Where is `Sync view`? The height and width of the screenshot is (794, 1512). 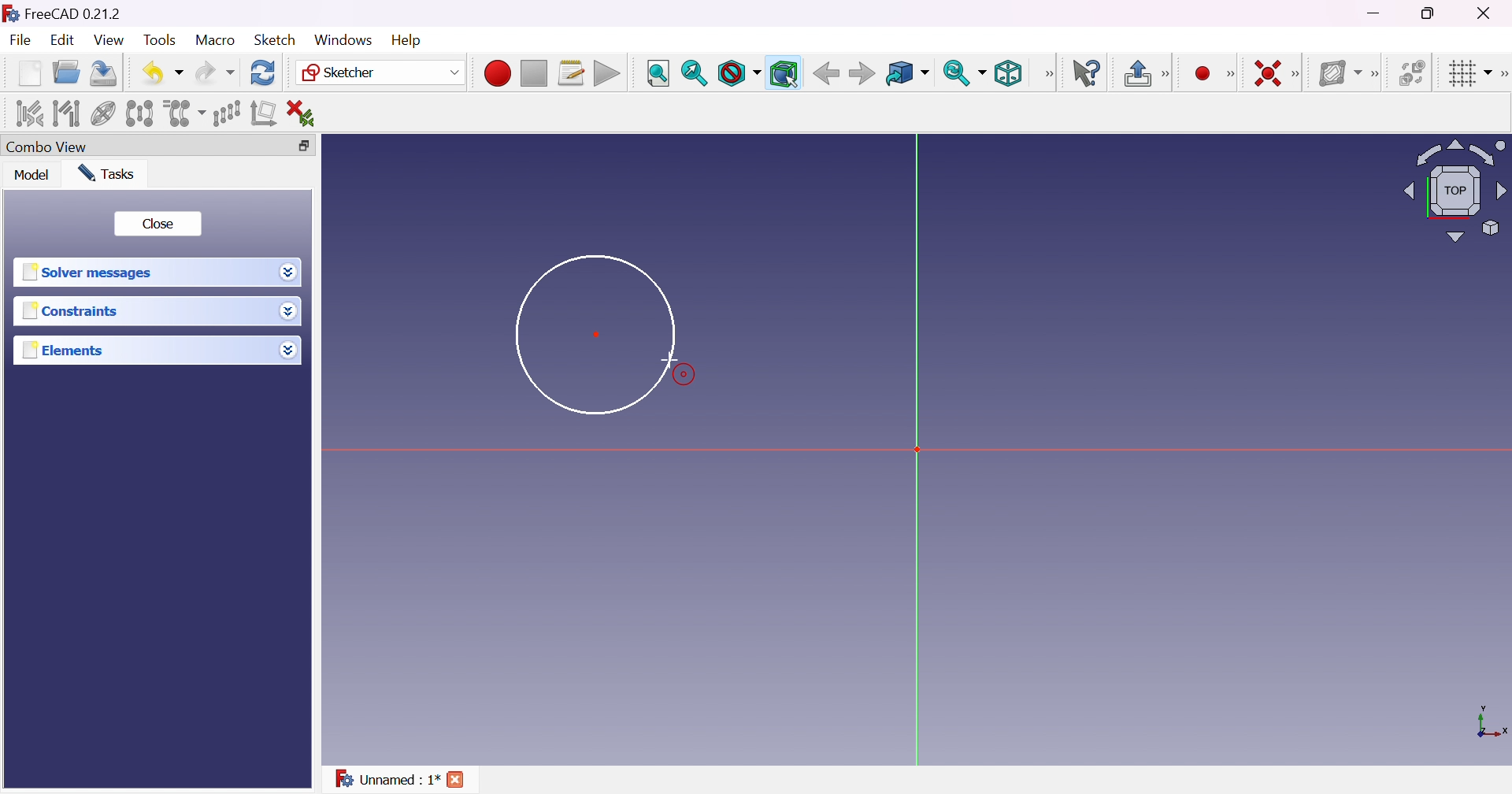
Sync view is located at coordinates (963, 72).